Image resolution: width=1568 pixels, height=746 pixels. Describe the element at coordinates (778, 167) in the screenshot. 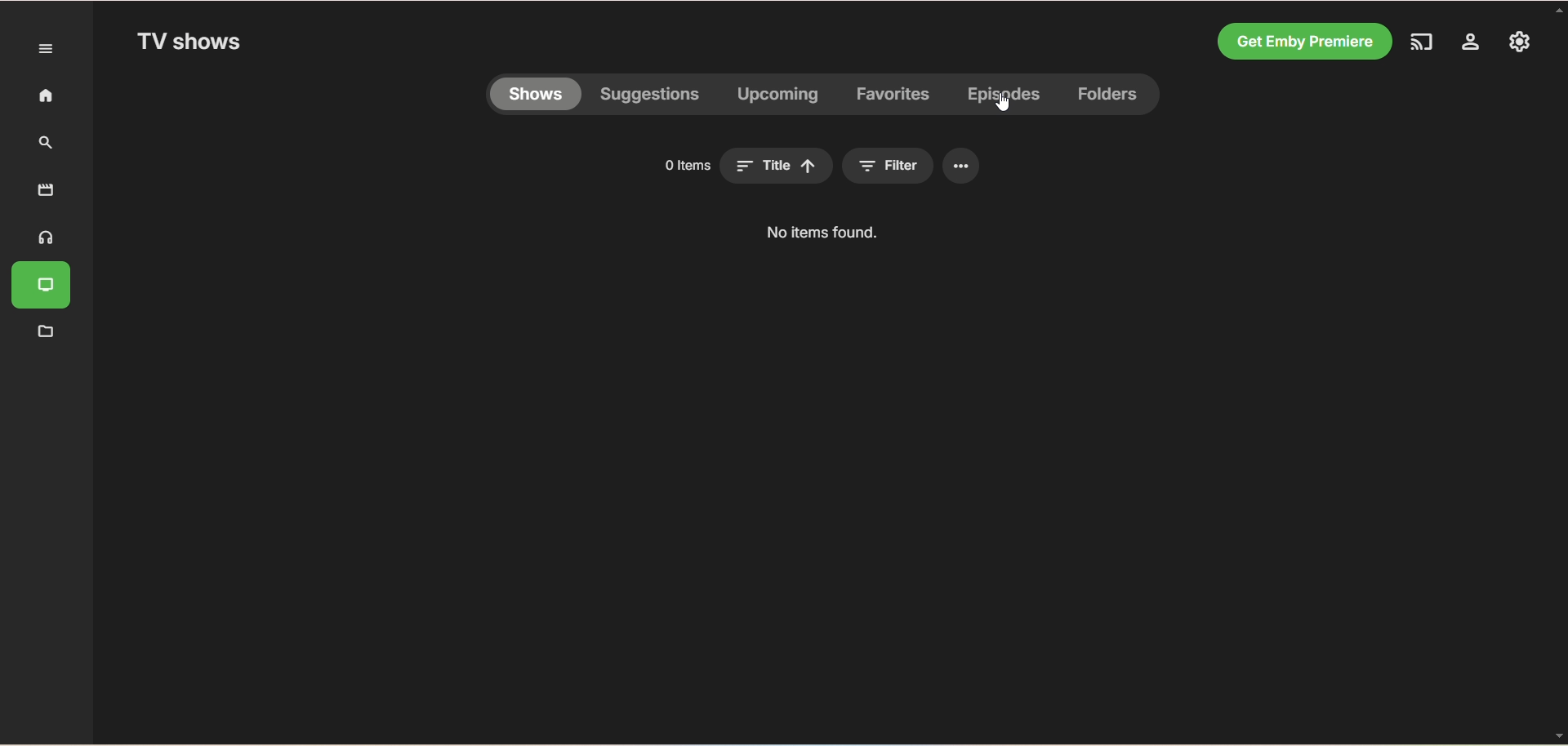

I see `title` at that location.